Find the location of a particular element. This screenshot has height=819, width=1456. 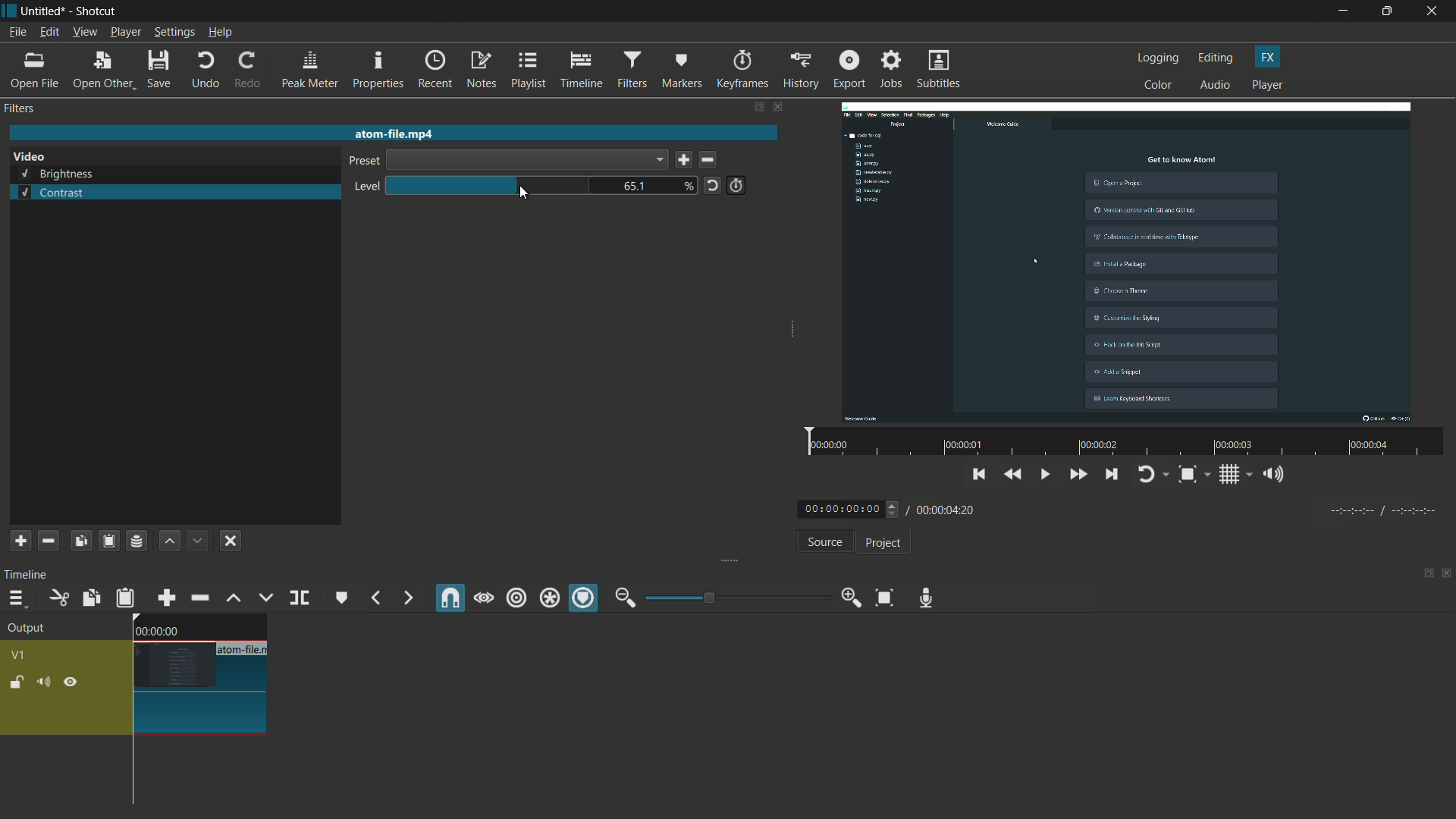

next marker is located at coordinates (406, 598).